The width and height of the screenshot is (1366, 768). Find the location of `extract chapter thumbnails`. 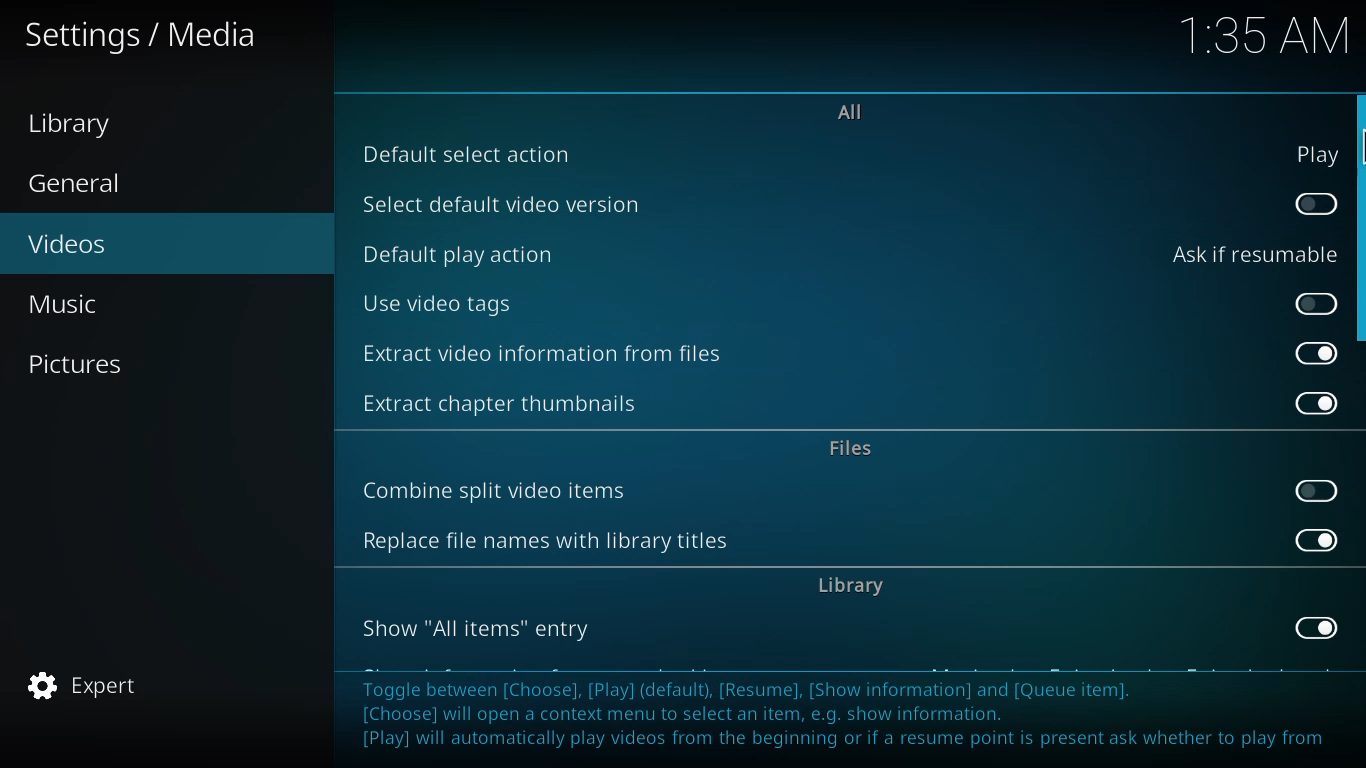

extract chapter thumbnails is located at coordinates (512, 401).